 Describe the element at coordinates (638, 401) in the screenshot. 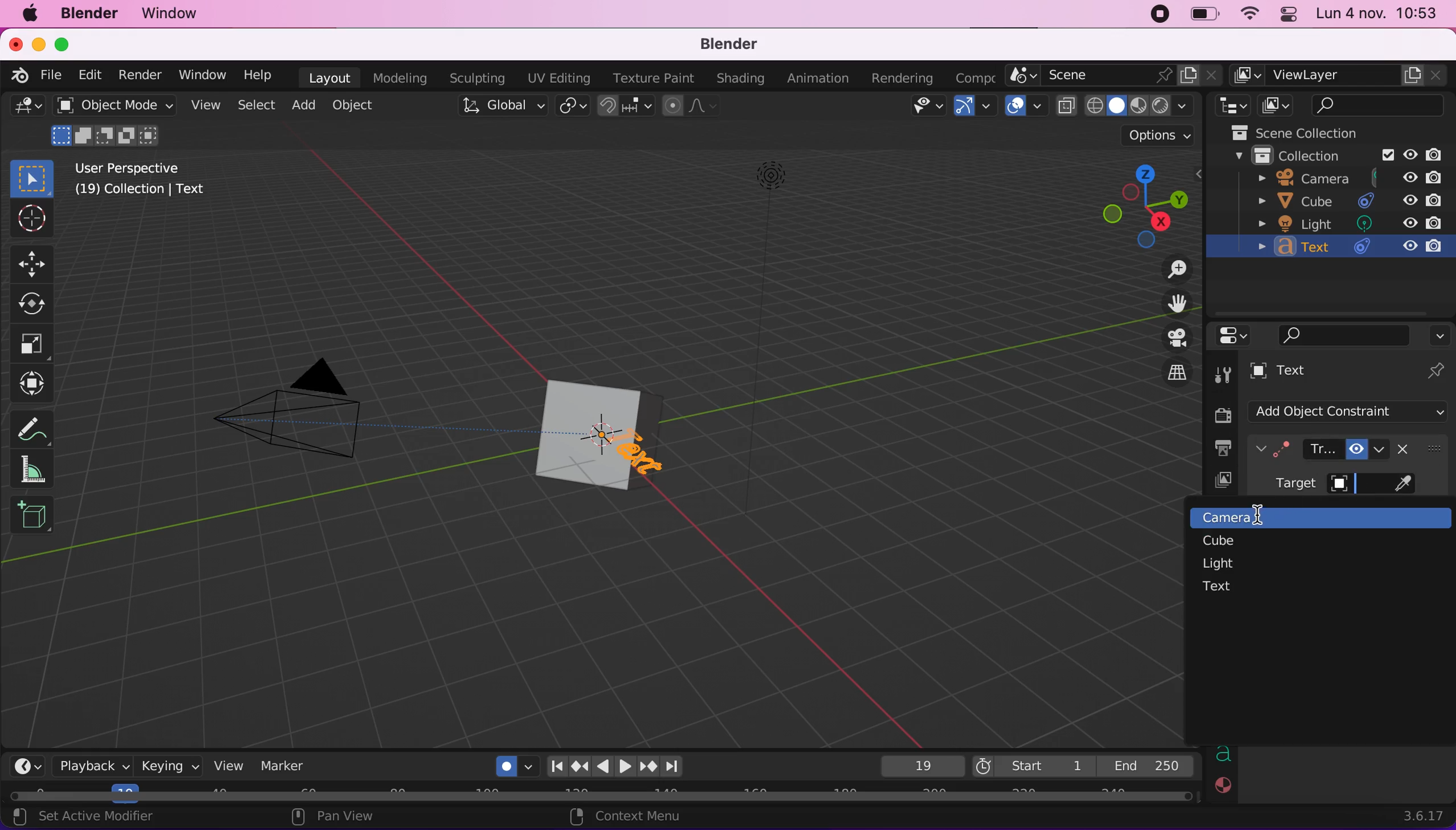

I see `cube` at that location.